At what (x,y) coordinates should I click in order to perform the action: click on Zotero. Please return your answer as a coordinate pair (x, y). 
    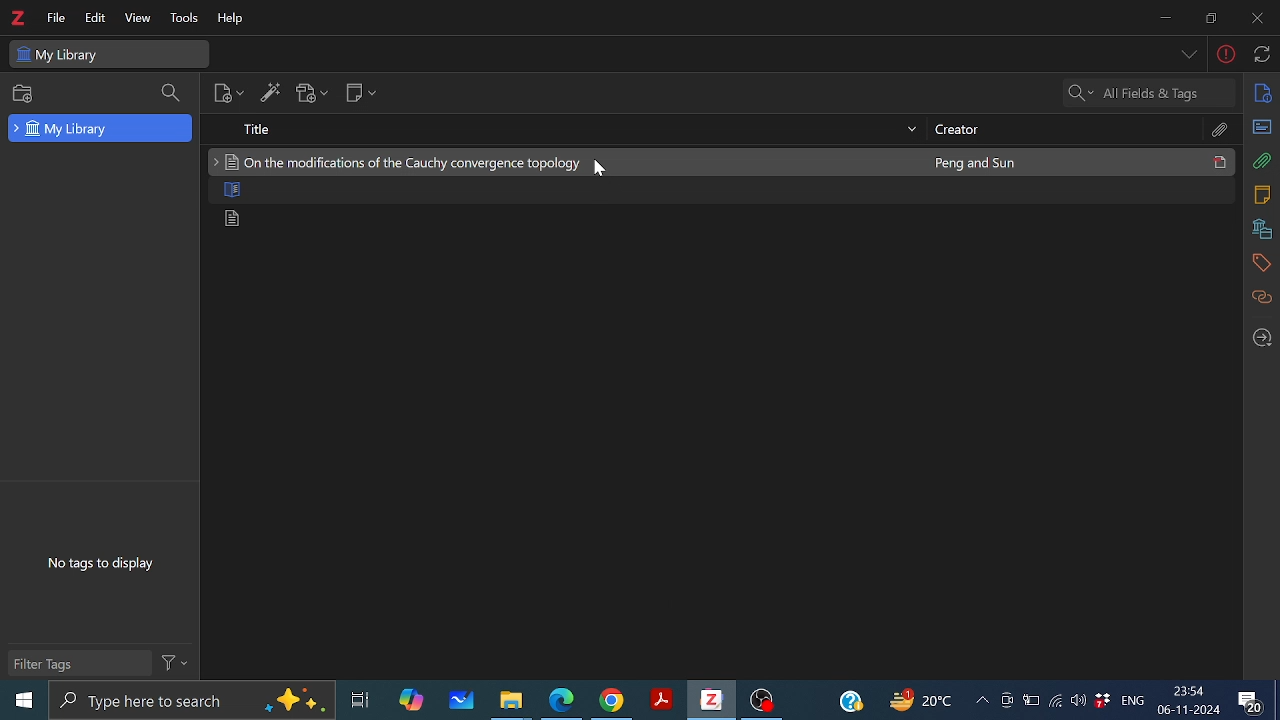
    Looking at the image, I should click on (17, 18).